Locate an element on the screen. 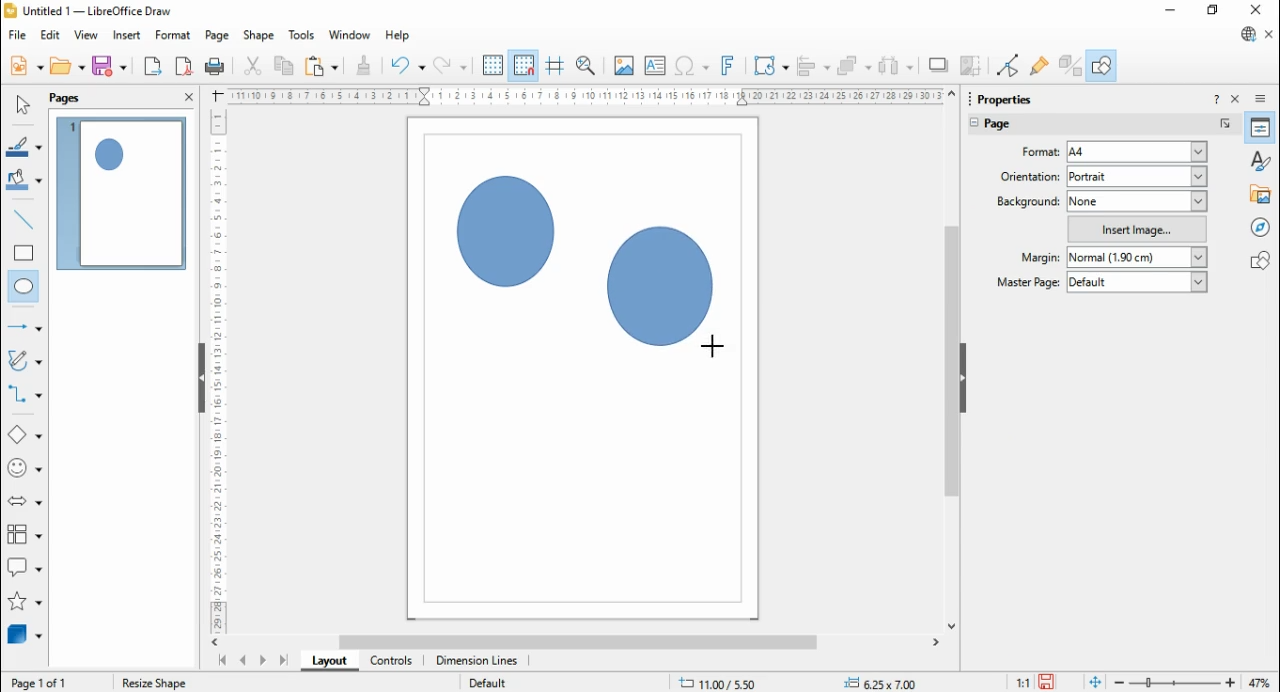  callout shapes is located at coordinates (26, 570).